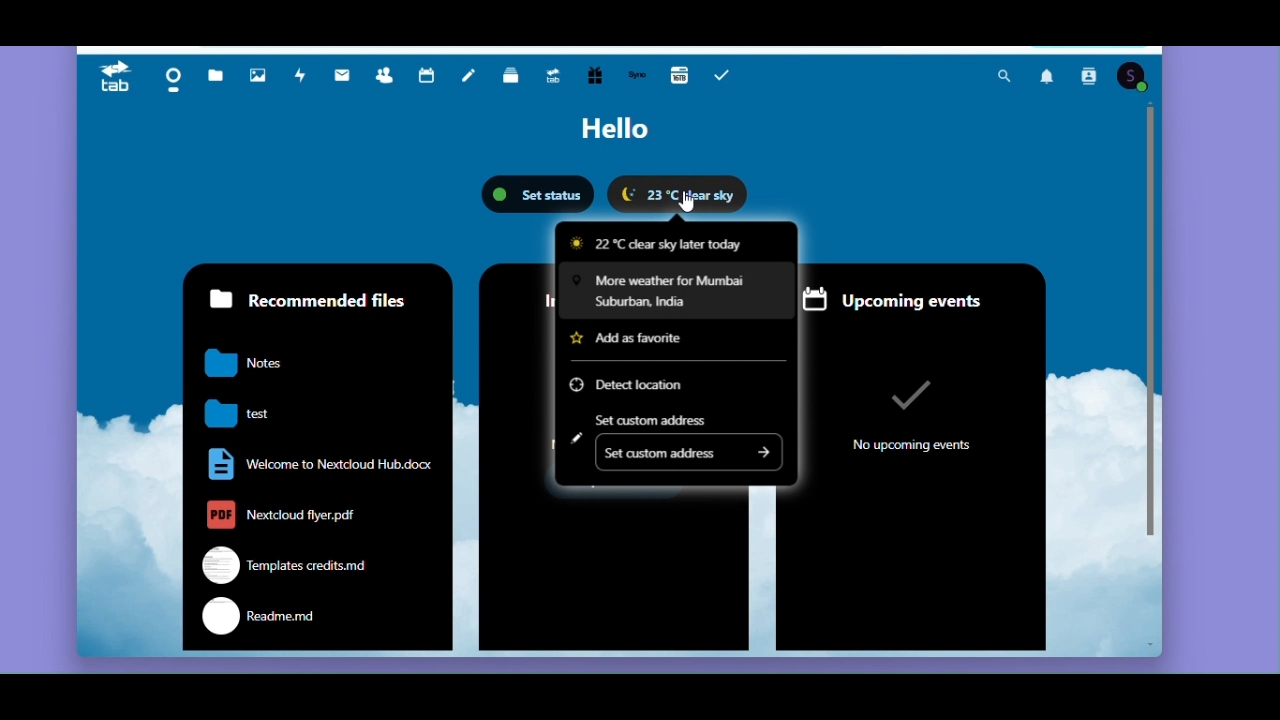 Image resolution: width=1280 pixels, height=720 pixels. Describe the element at coordinates (727, 75) in the screenshot. I see `Task` at that location.